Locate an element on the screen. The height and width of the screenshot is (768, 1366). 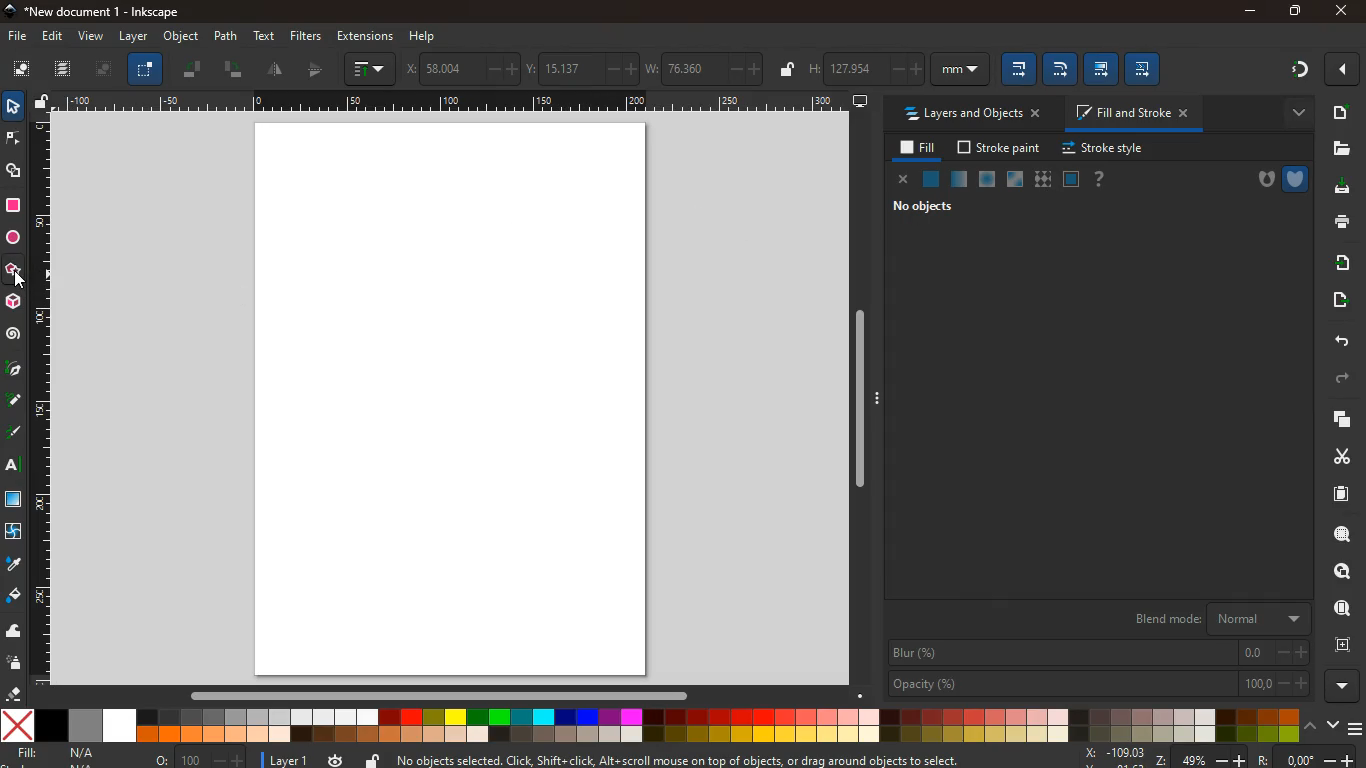
menu is located at coordinates (1356, 728).